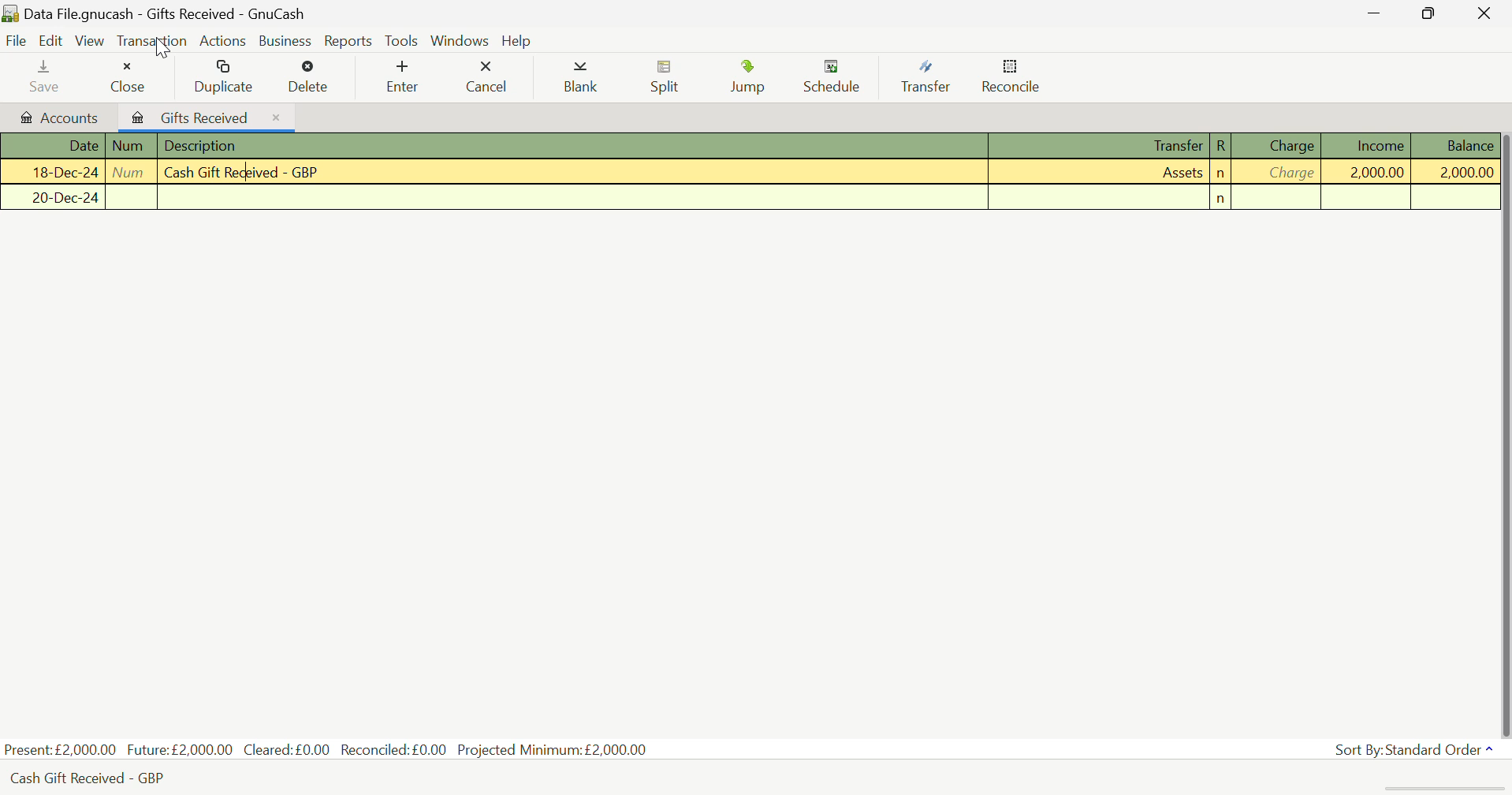 This screenshot has width=1512, height=795. I want to click on Income, so click(1369, 145).